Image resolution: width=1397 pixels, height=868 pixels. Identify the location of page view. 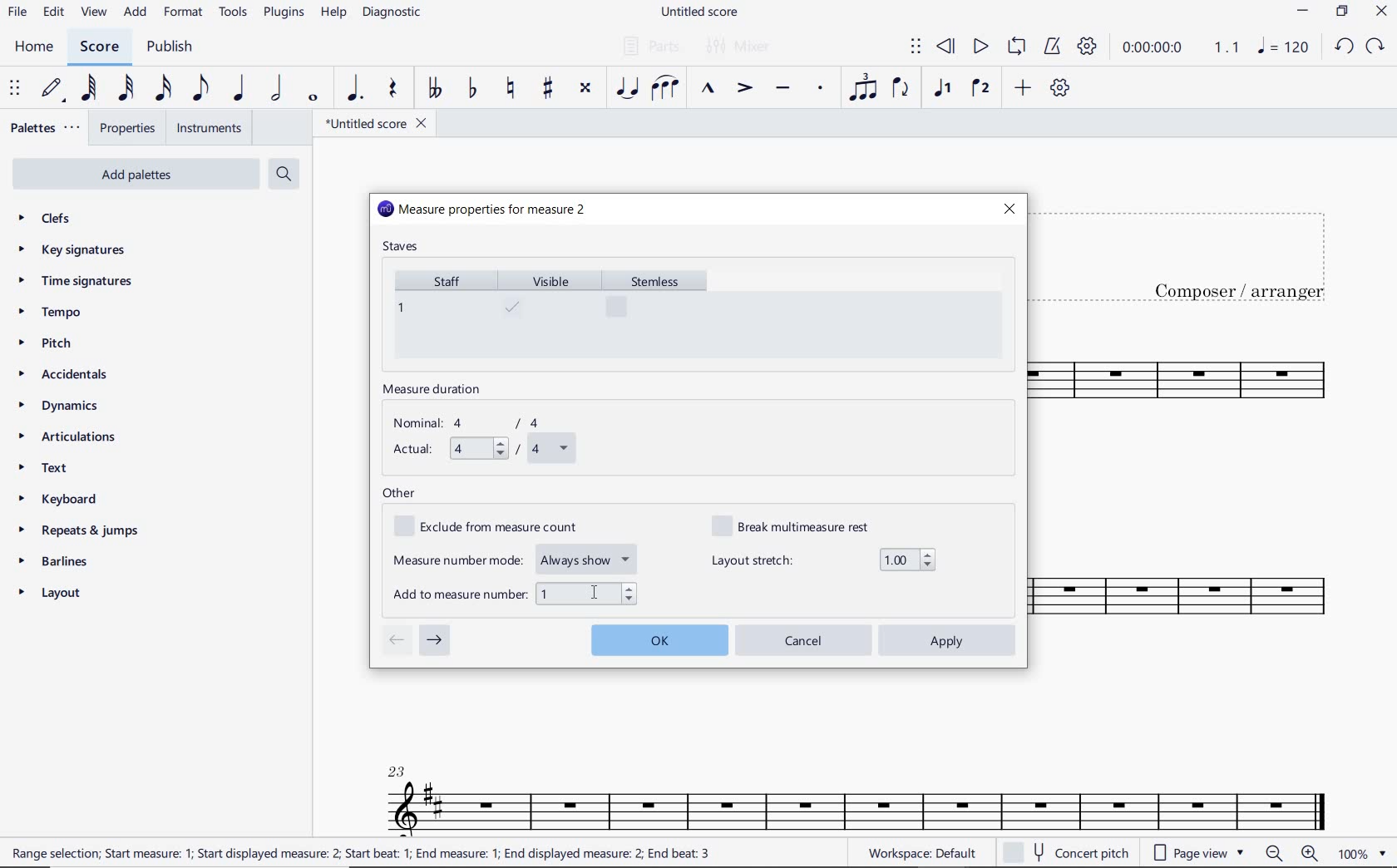
(1196, 852).